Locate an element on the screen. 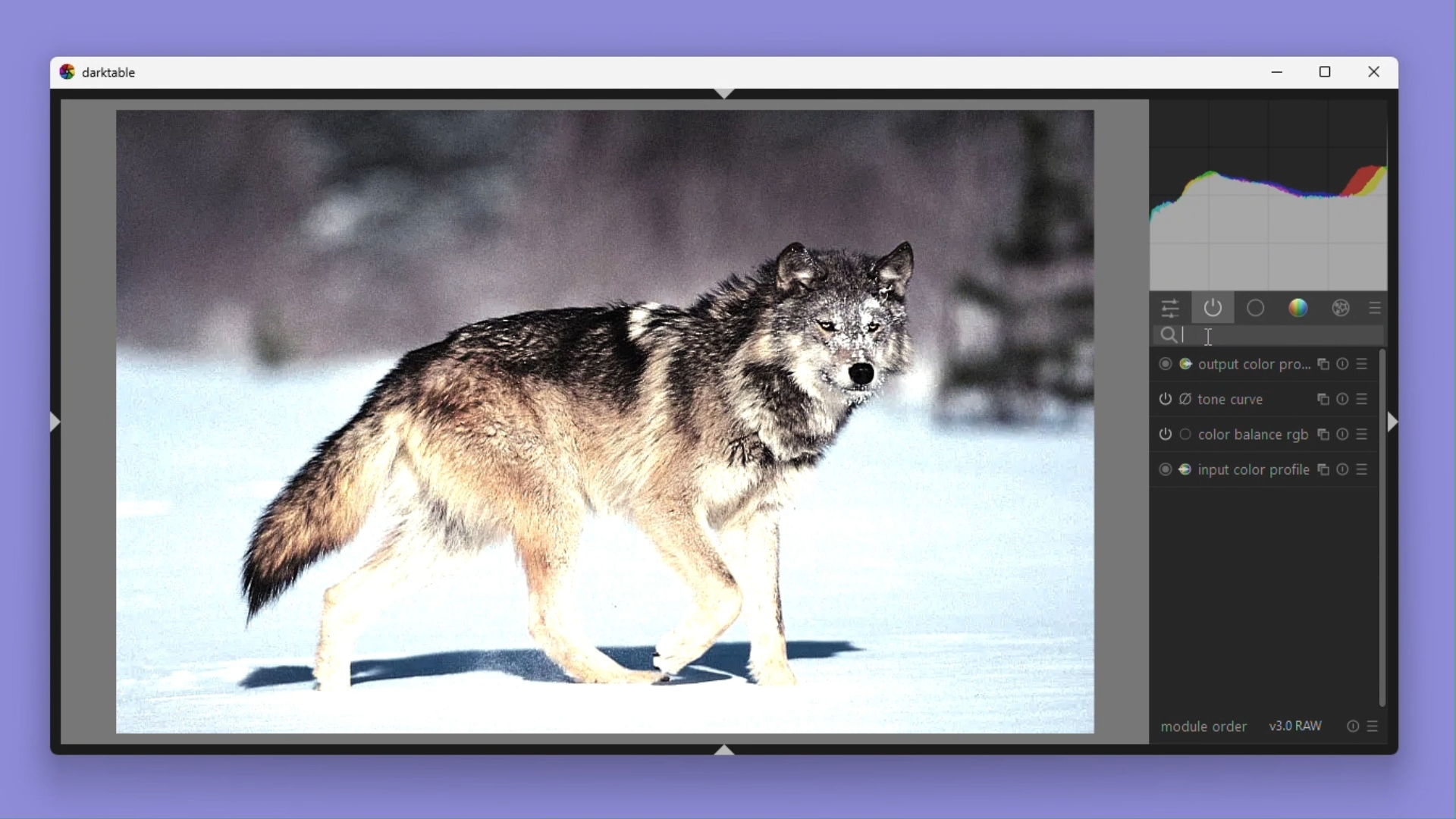  Preset is located at coordinates (1362, 362).